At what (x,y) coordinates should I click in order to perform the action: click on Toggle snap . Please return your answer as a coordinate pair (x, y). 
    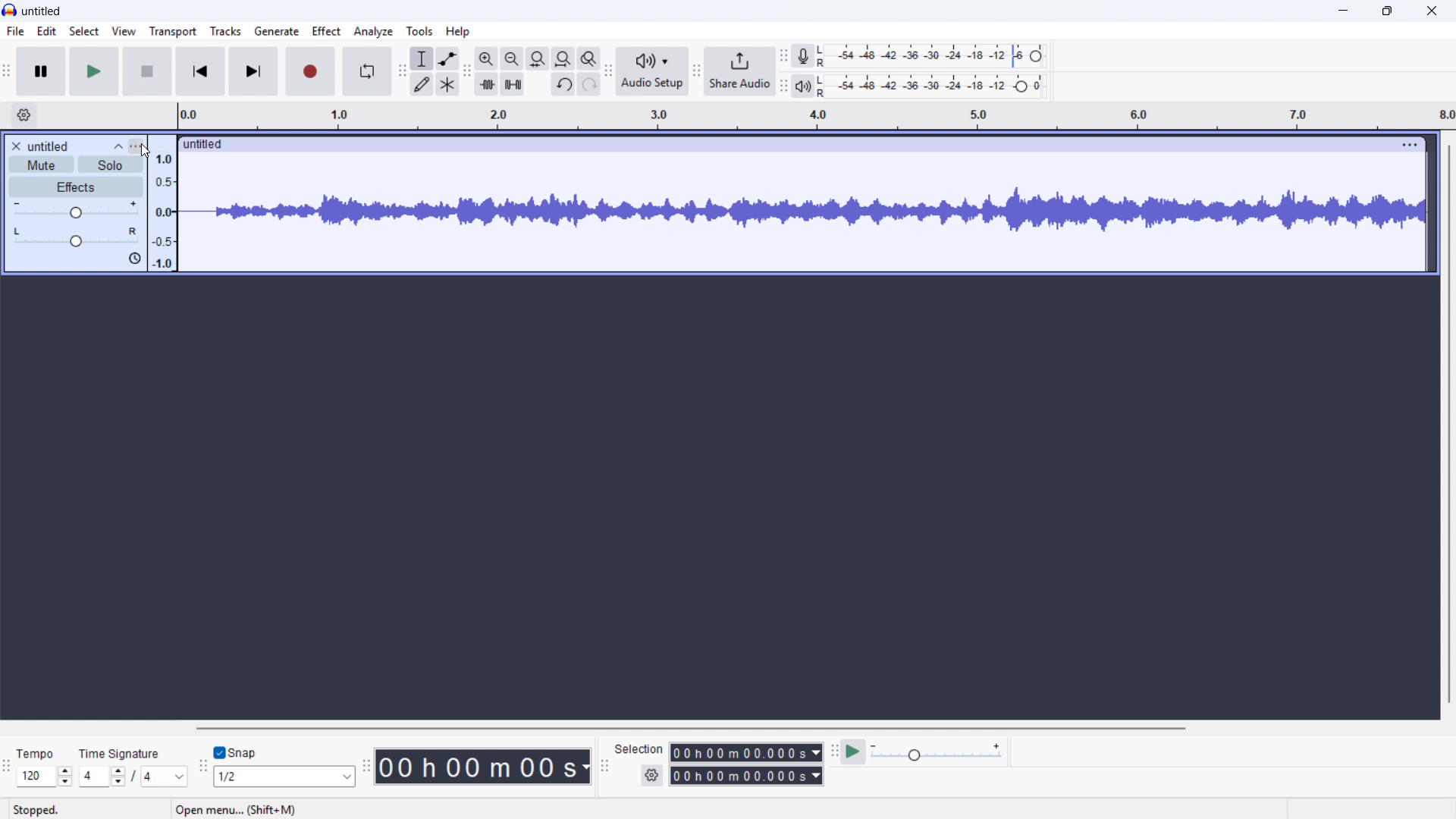
    Looking at the image, I should click on (236, 752).